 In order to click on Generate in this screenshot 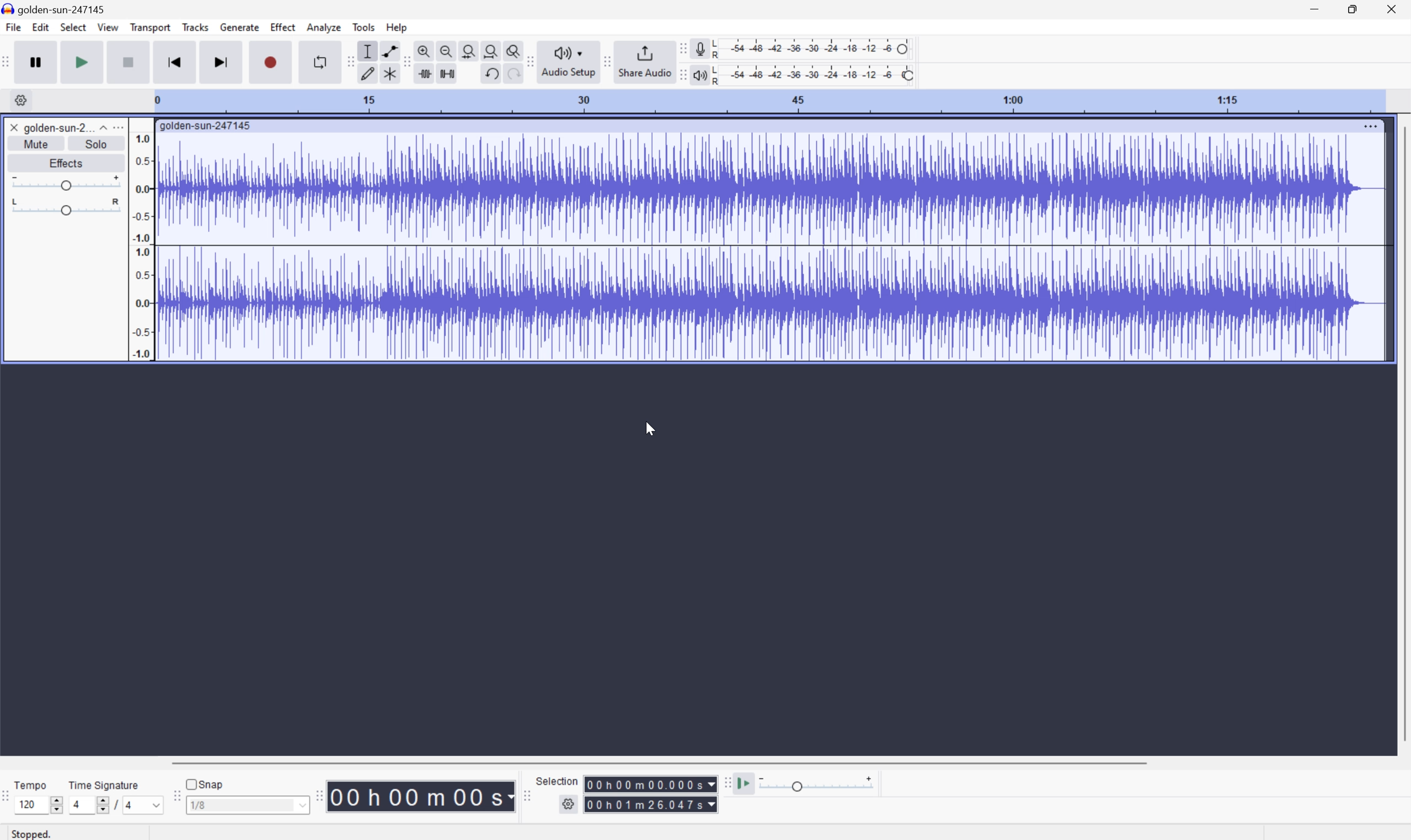, I will do `click(241, 27)`.